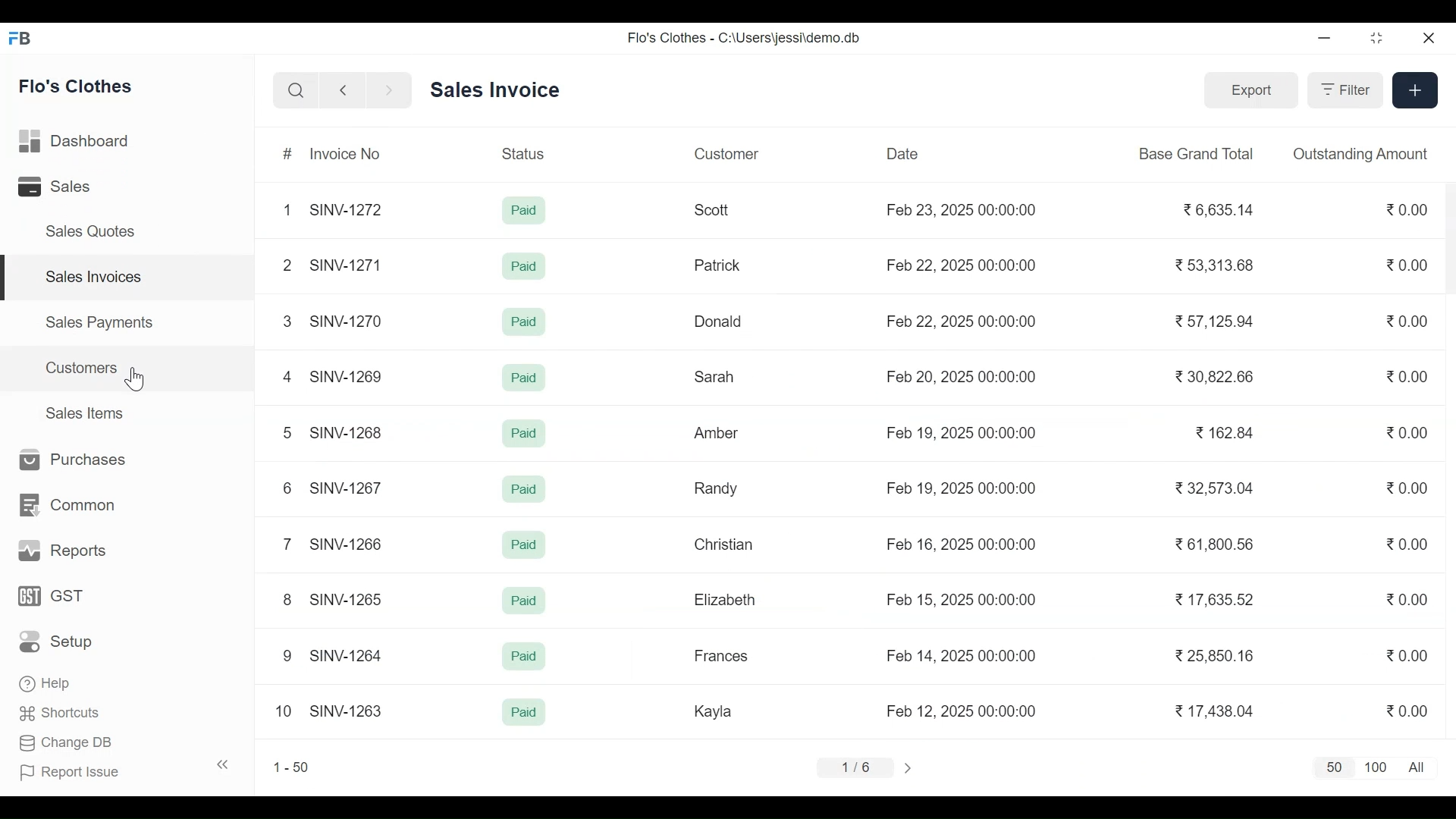 The image size is (1456, 819). Describe the element at coordinates (348, 488) in the screenshot. I see `SINV-1267` at that location.